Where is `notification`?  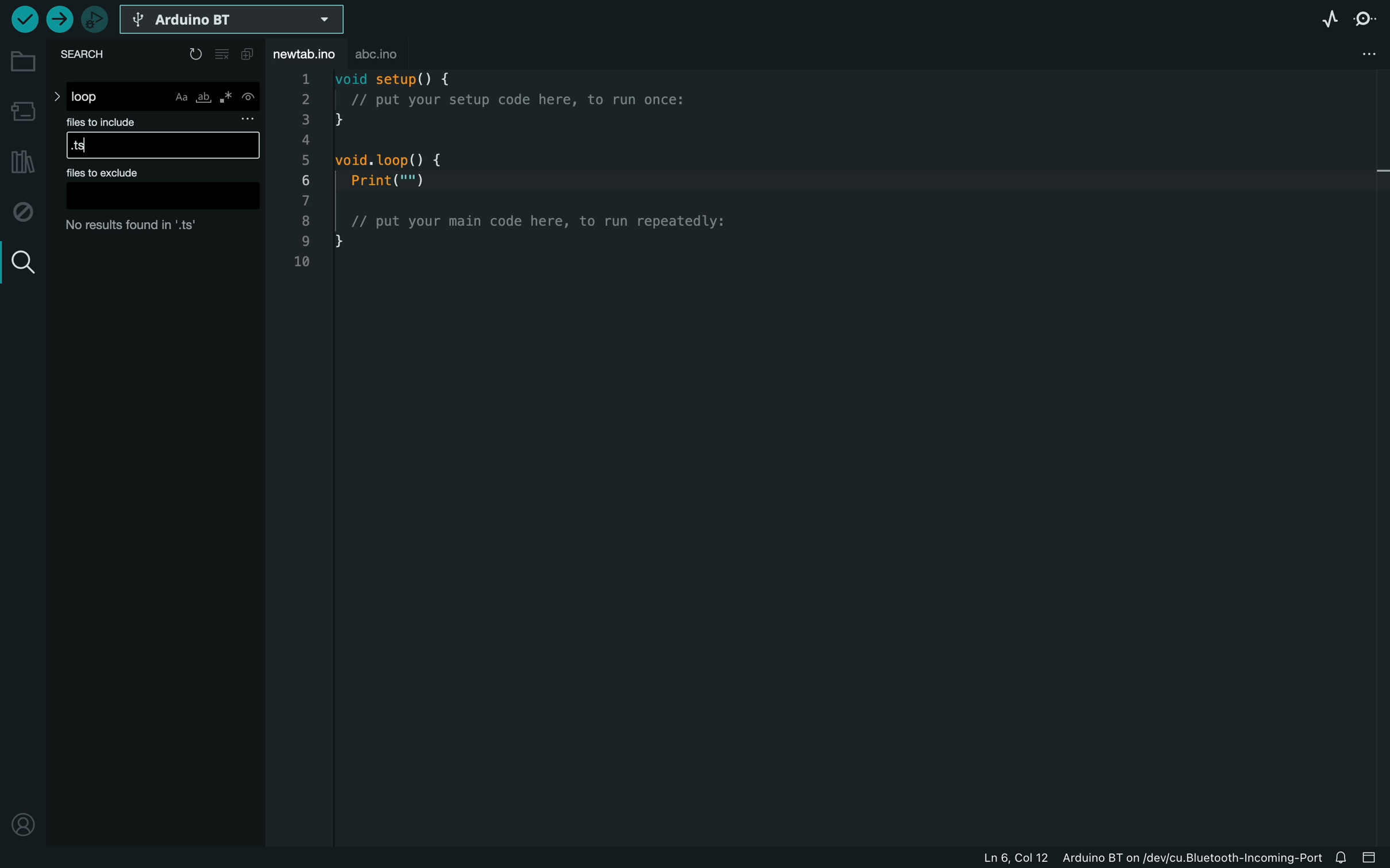
notification is located at coordinates (1342, 857).